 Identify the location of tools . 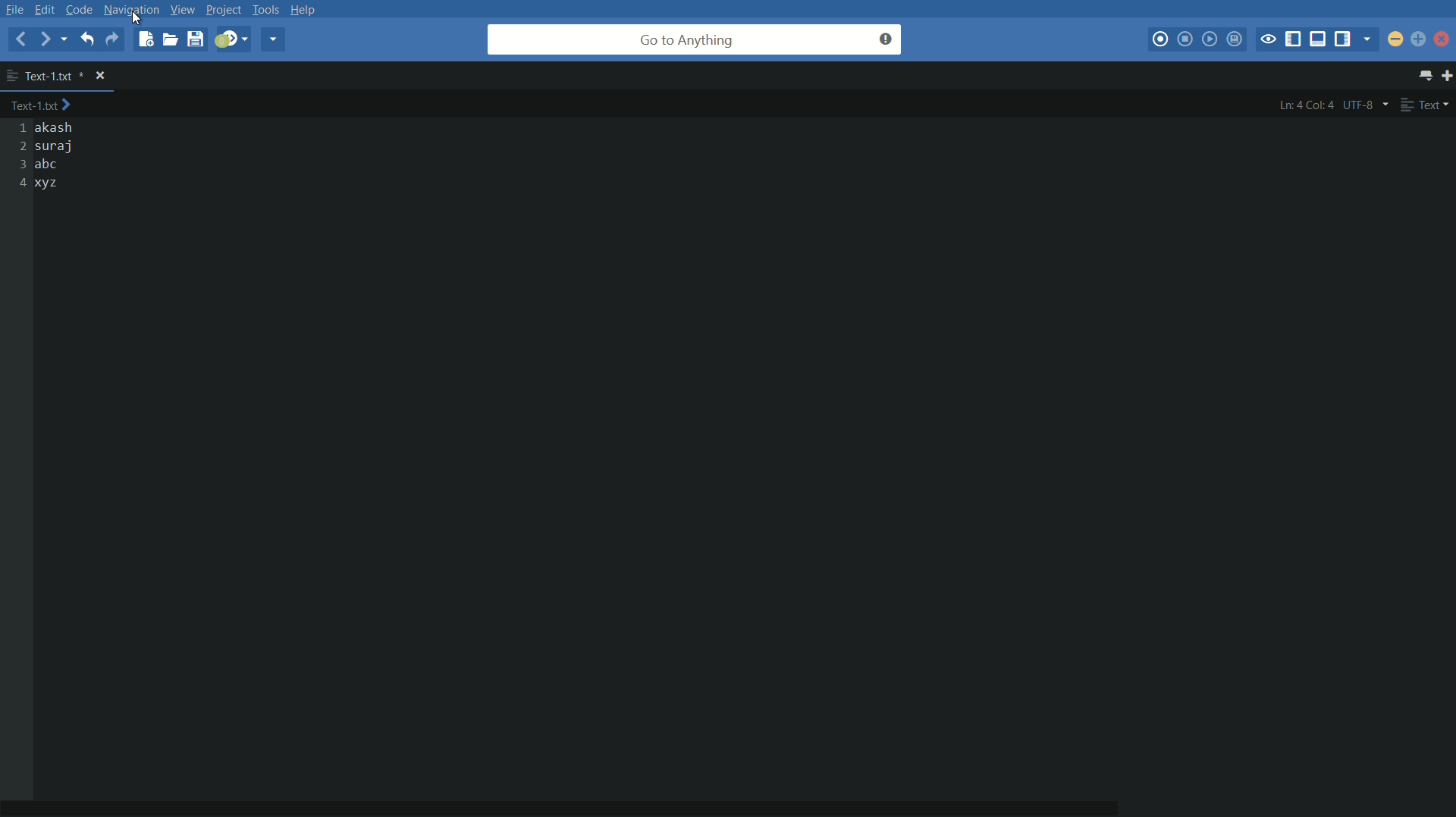
(267, 9).